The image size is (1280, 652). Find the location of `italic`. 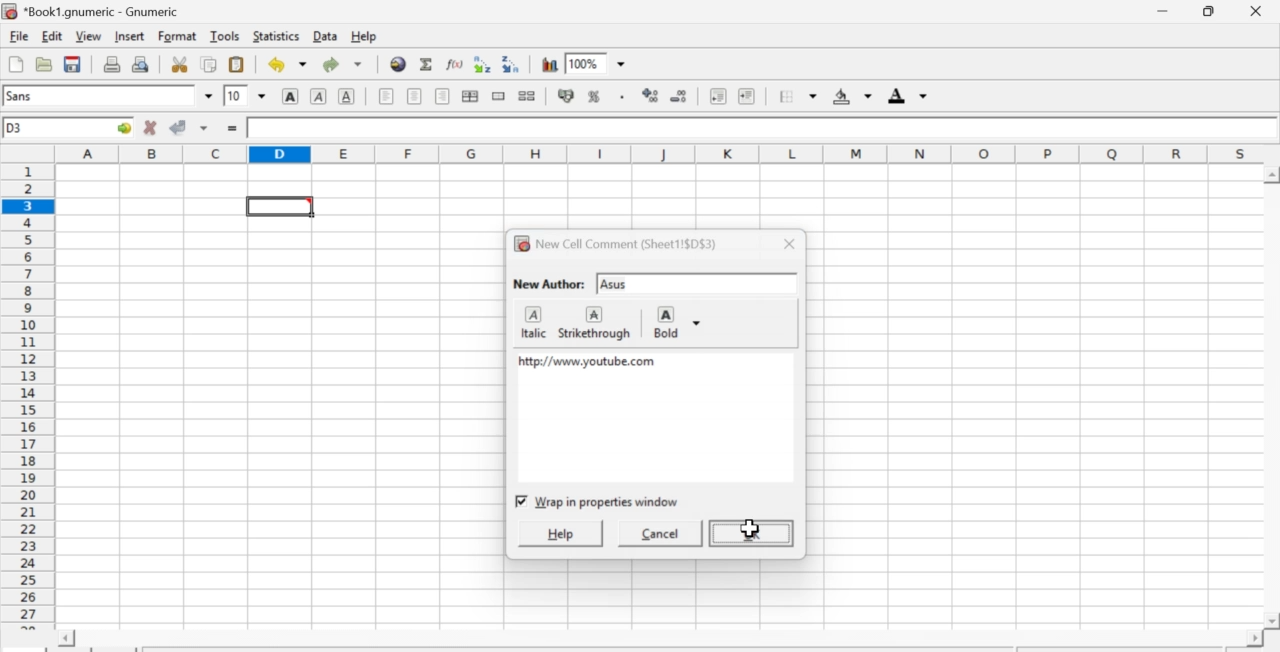

italic is located at coordinates (531, 323).